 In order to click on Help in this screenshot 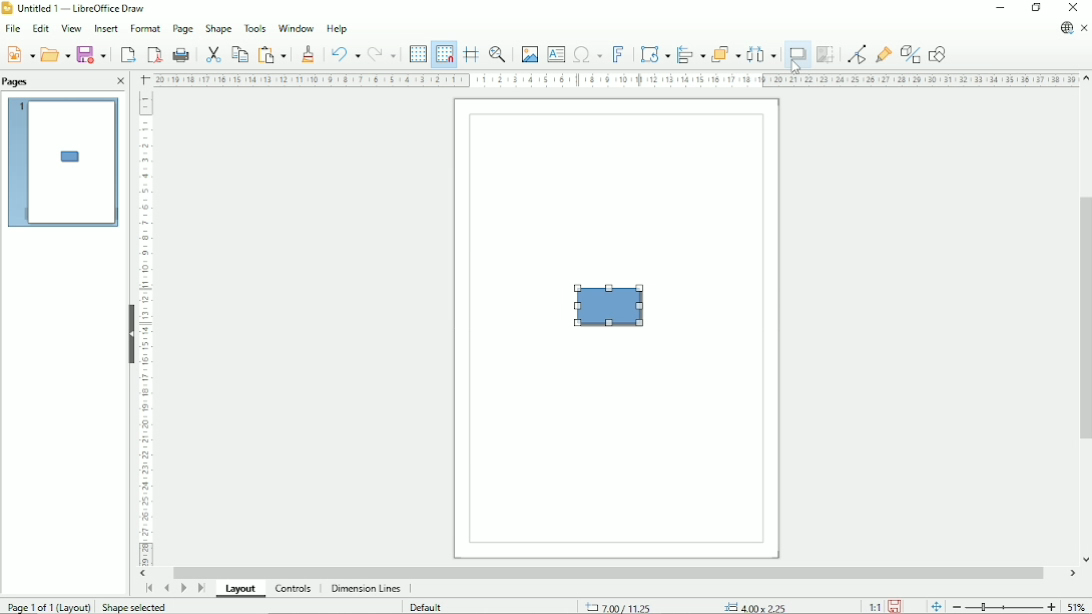, I will do `click(337, 28)`.